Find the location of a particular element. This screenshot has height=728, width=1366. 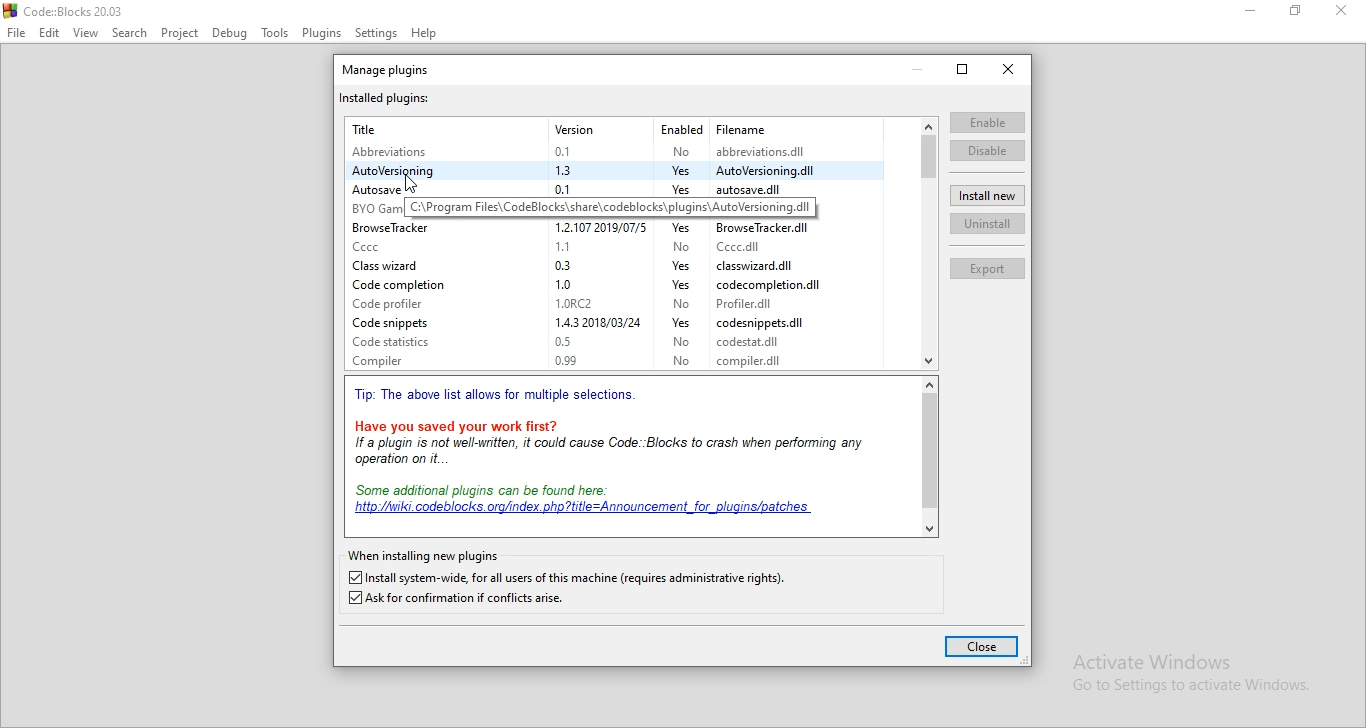

0.99 is located at coordinates (568, 362).